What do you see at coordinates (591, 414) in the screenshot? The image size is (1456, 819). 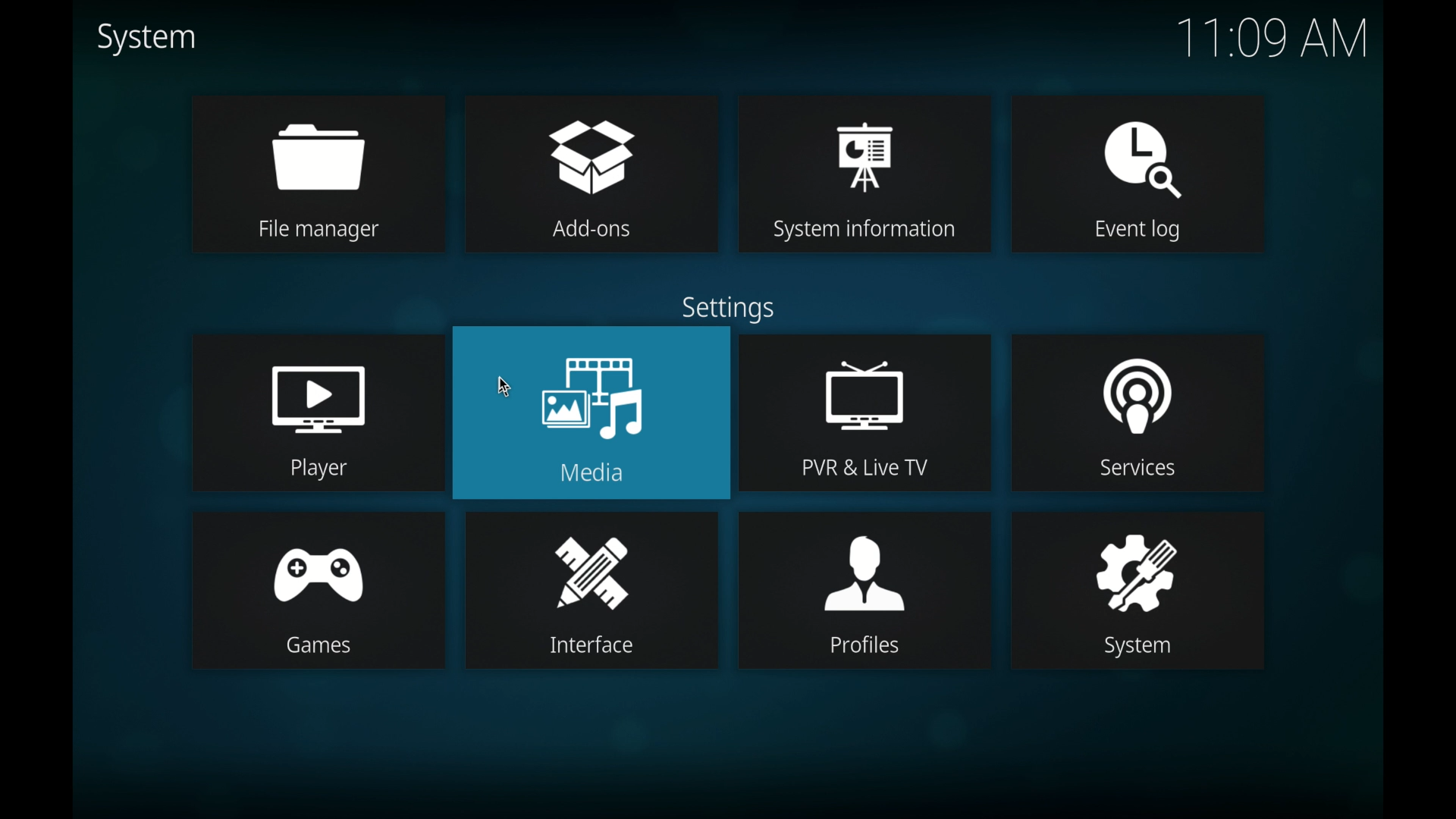 I see `media` at bounding box center [591, 414].